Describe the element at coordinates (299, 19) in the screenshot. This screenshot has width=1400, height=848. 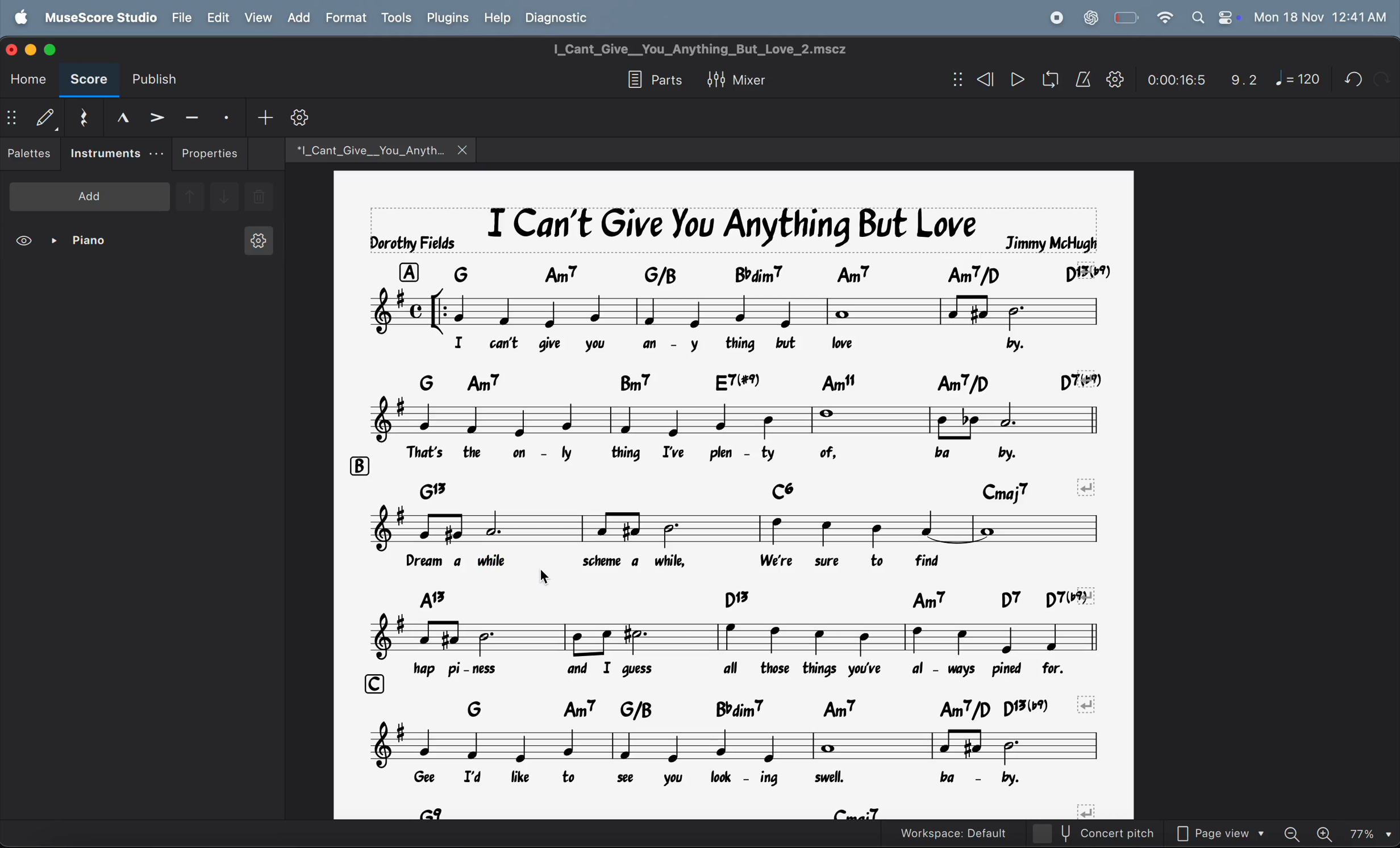
I see `add` at that location.